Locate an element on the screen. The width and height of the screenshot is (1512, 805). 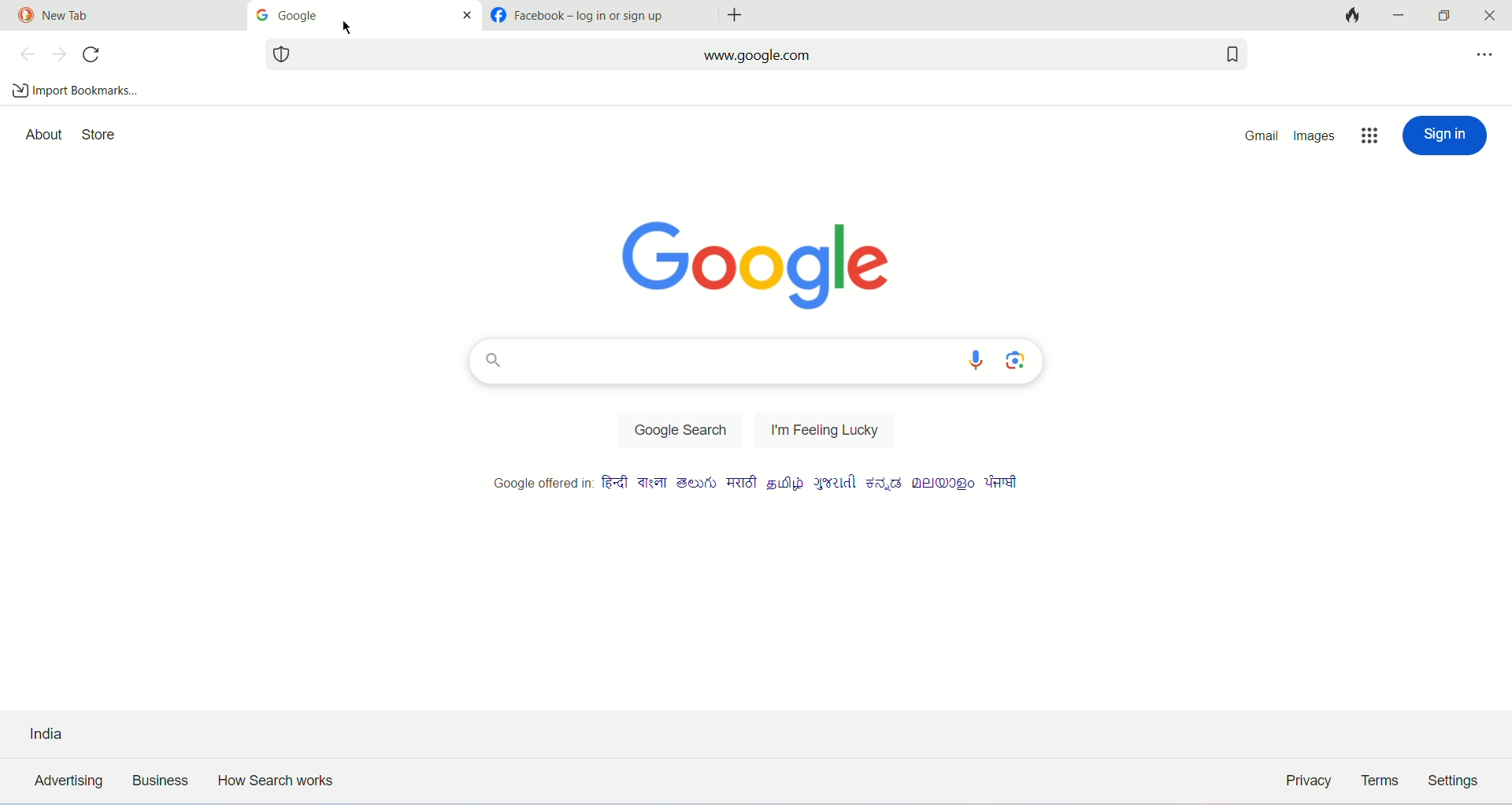
Google is located at coordinates (754, 262).